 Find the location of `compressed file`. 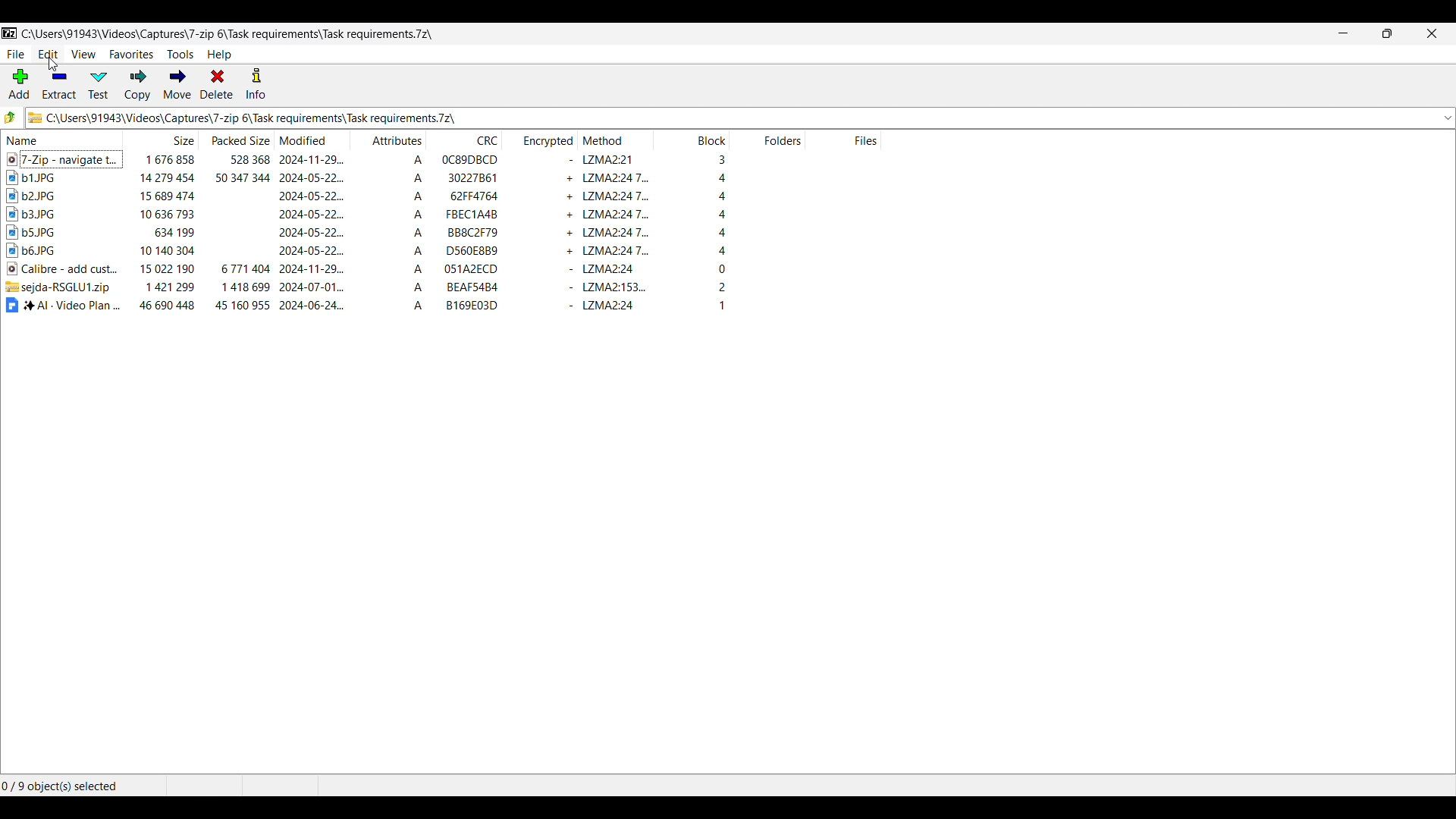

compressed file is located at coordinates (63, 287).